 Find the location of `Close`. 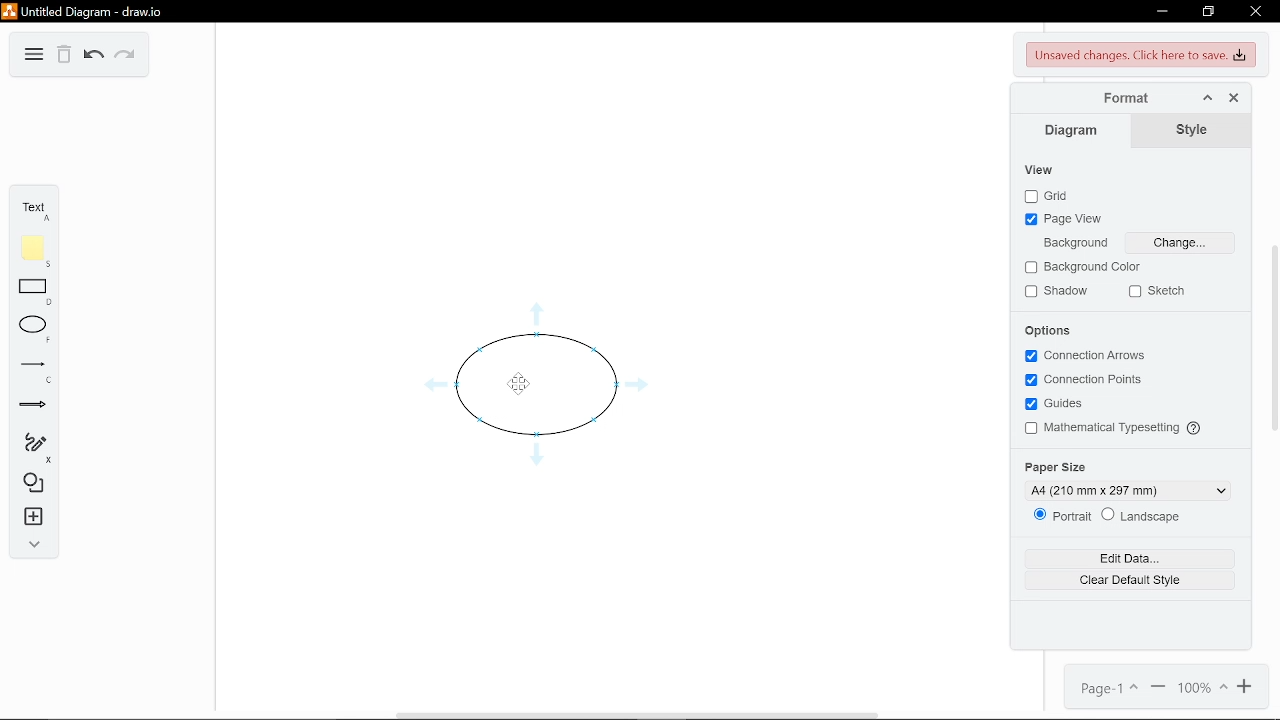

Close is located at coordinates (1236, 95).